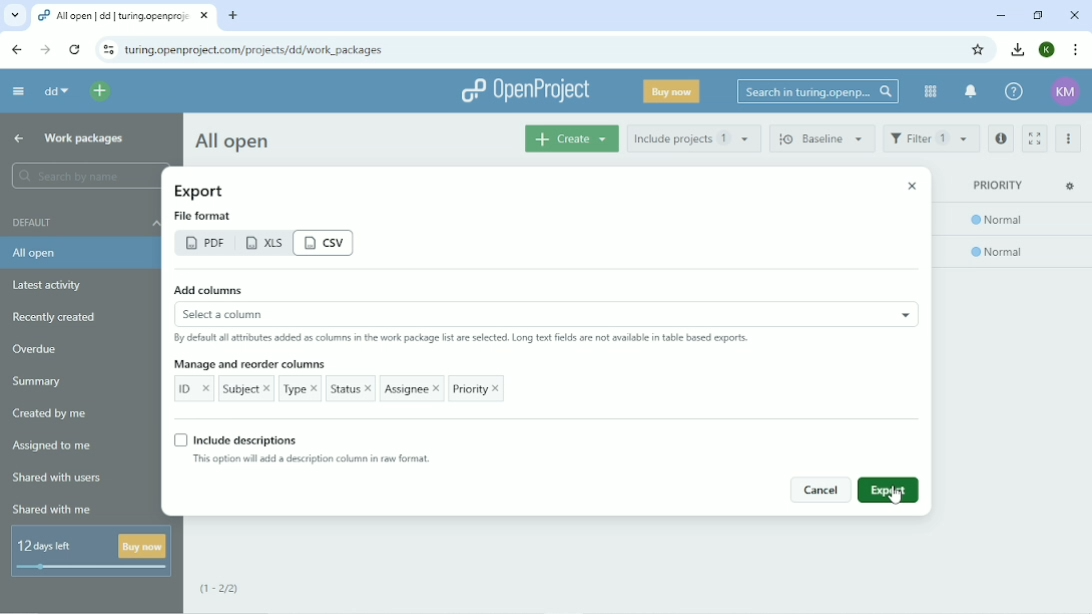  Describe the element at coordinates (1018, 49) in the screenshot. I see `Downloads` at that location.